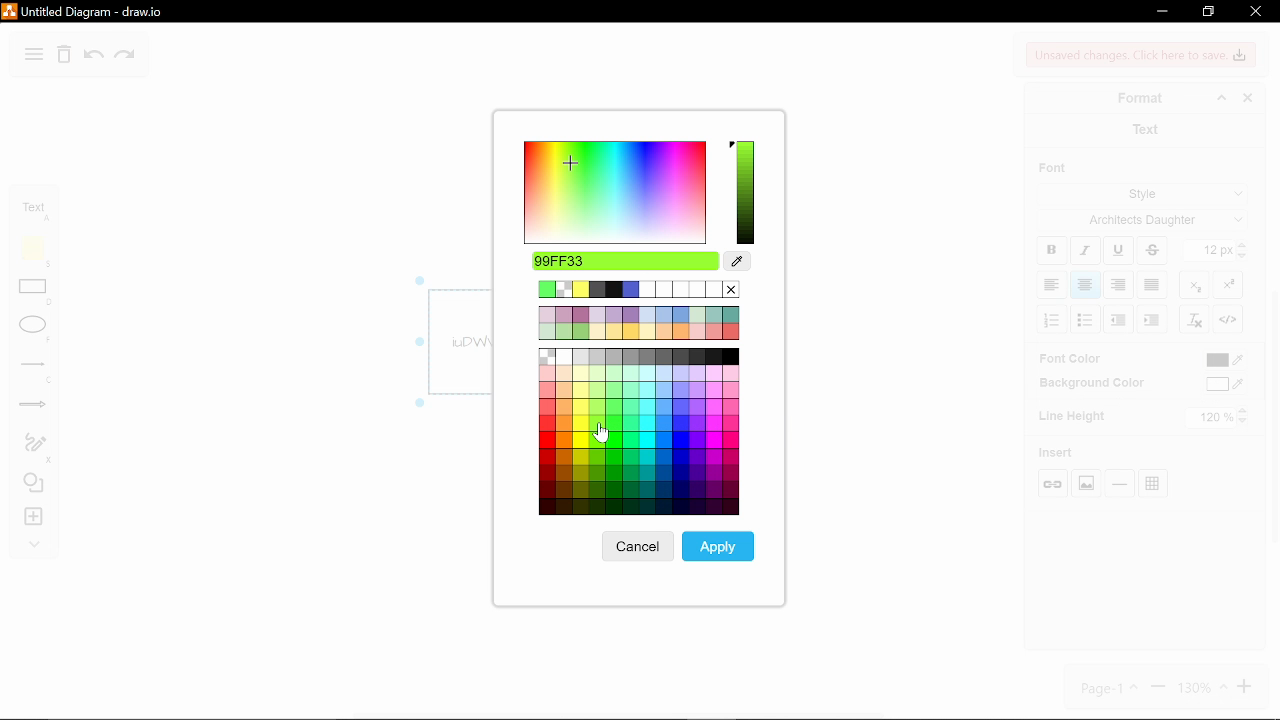 The width and height of the screenshot is (1280, 720). What do you see at coordinates (1210, 417) in the screenshot?
I see `120%` at bounding box center [1210, 417].